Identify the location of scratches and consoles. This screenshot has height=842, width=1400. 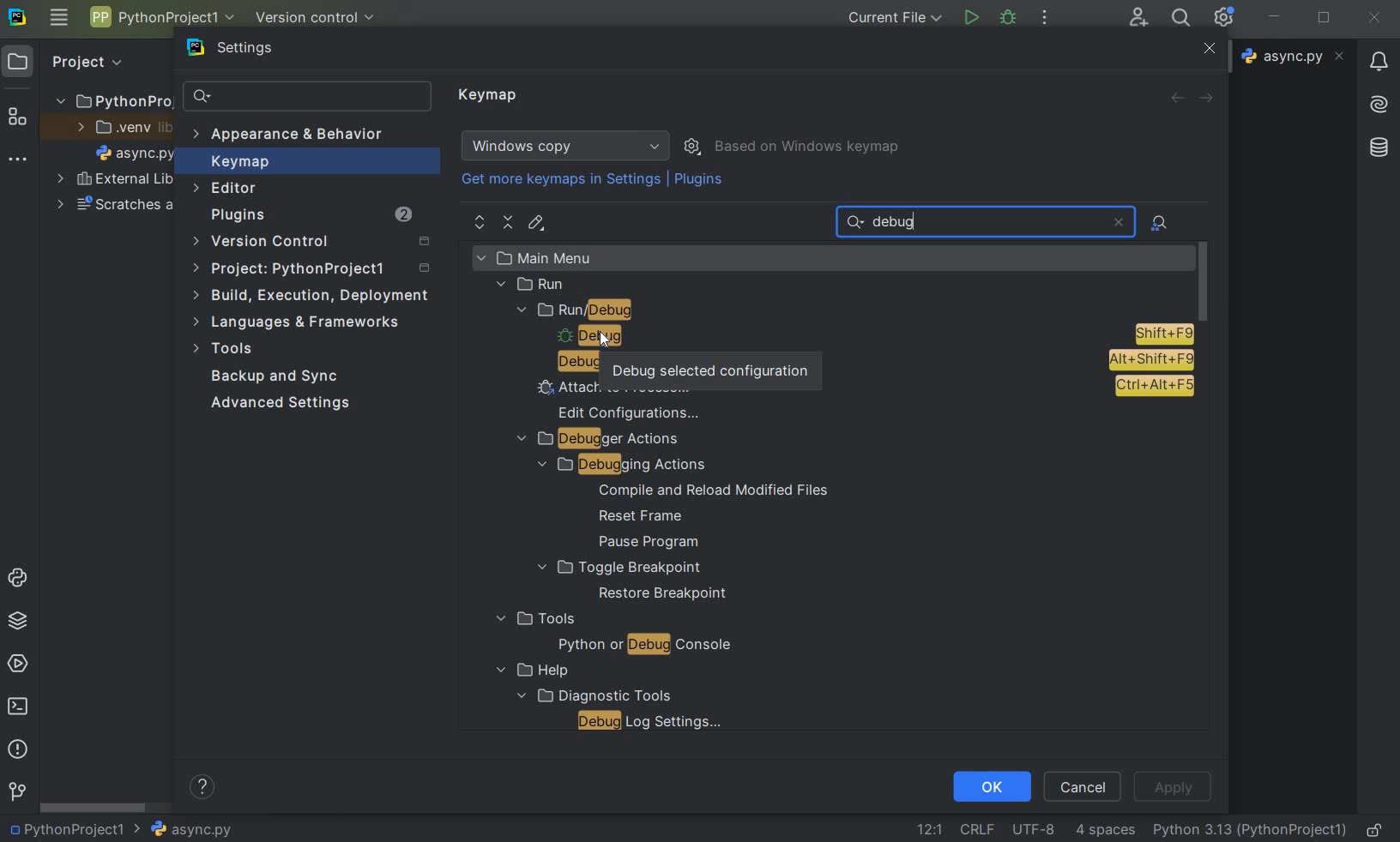
(116, 207).